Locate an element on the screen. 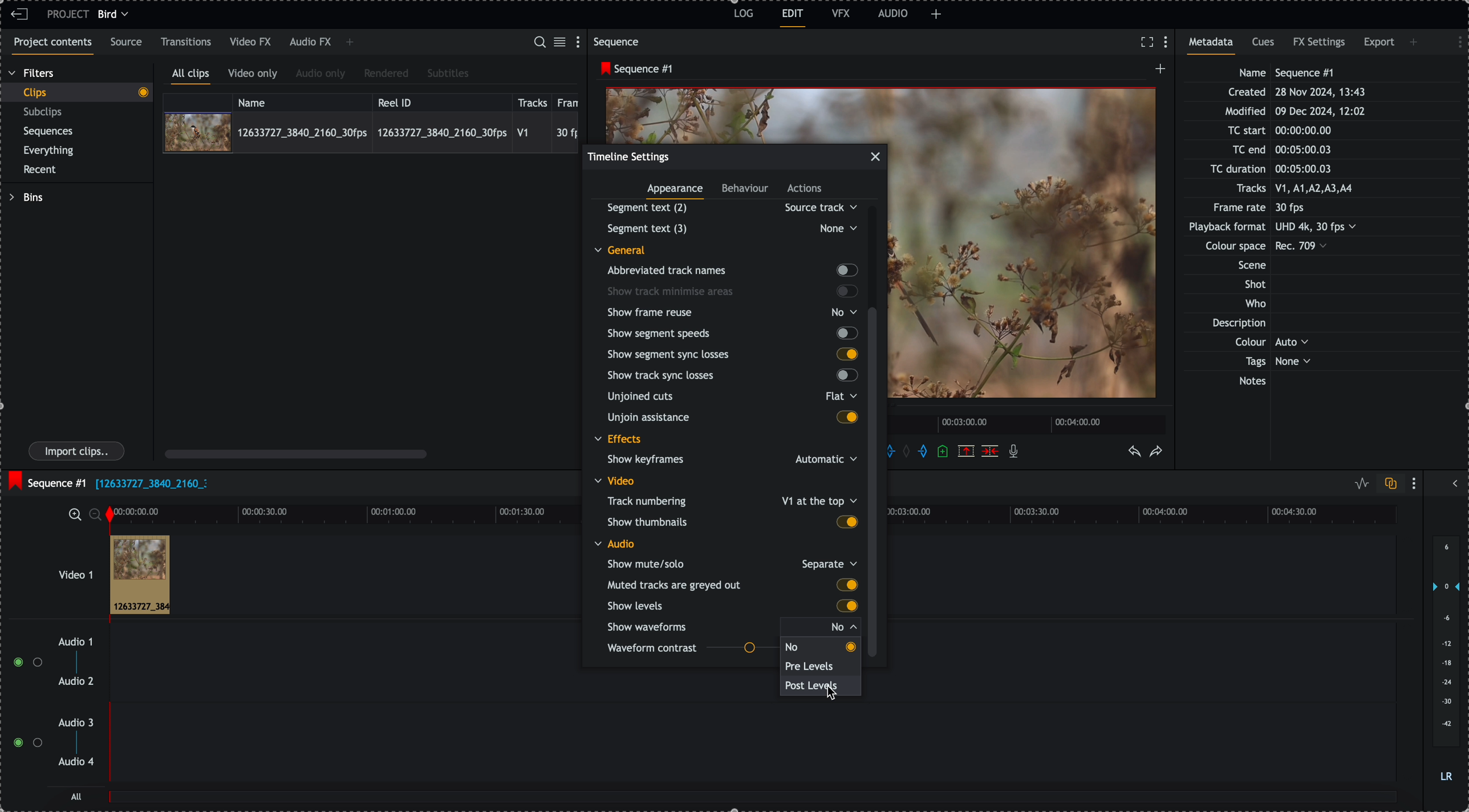 Image resolution: width=1469 pixels, height=812 pixels. show segment sync losses is located at coordinates (732, 354).